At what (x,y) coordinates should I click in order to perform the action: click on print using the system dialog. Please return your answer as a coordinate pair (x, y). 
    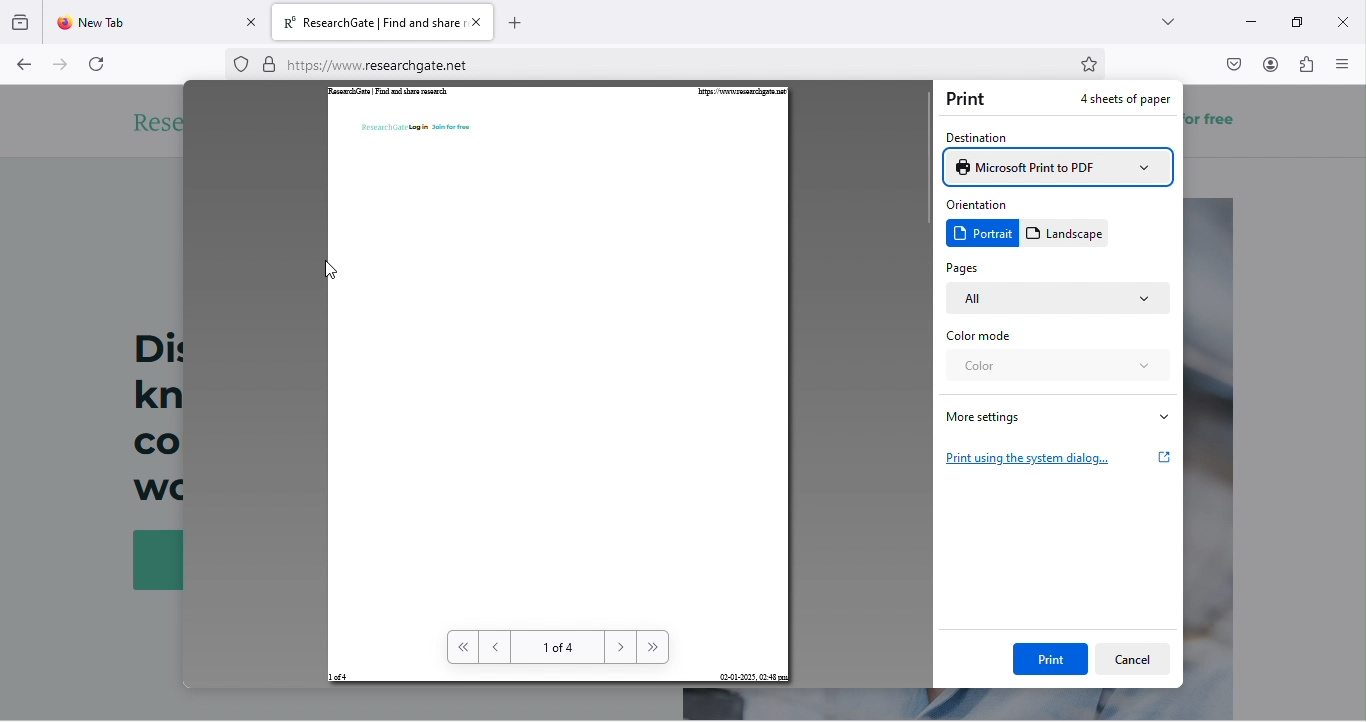
    Looking at the image, I should click on (1059, 455).